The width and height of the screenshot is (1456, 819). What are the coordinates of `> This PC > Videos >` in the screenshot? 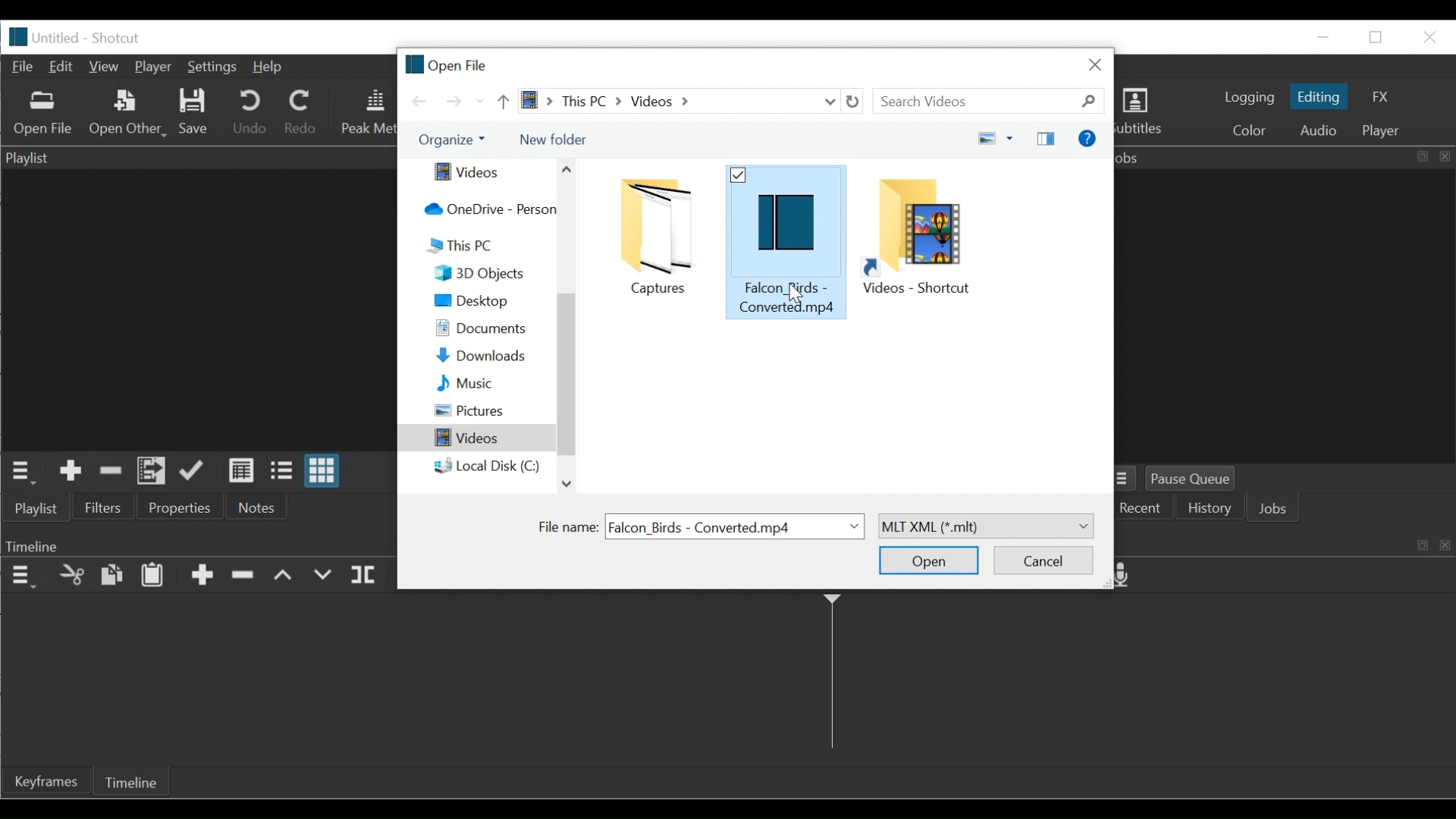 It's located at (666, 101).